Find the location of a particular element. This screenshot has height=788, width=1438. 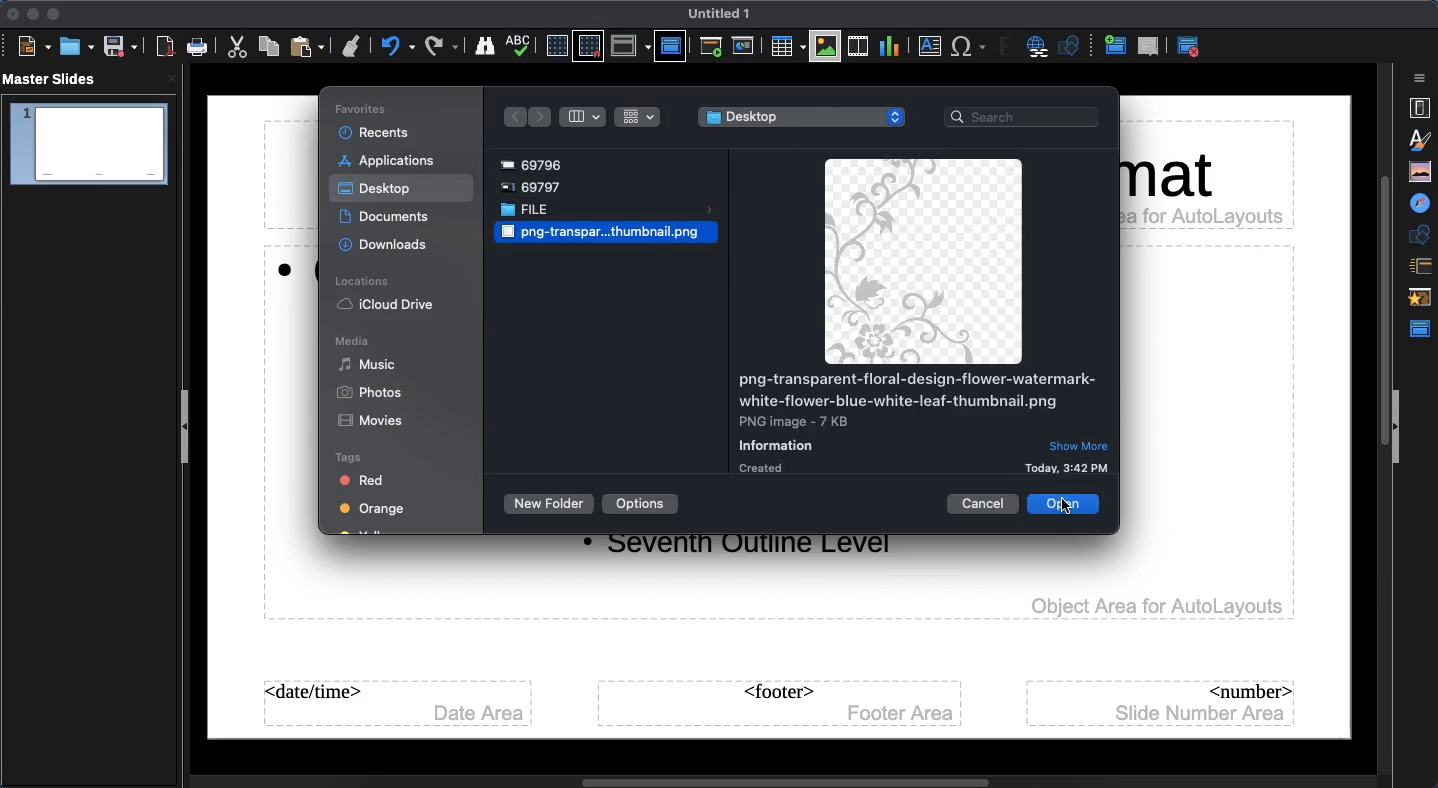

Video audio is located at coordinates (856, 47).